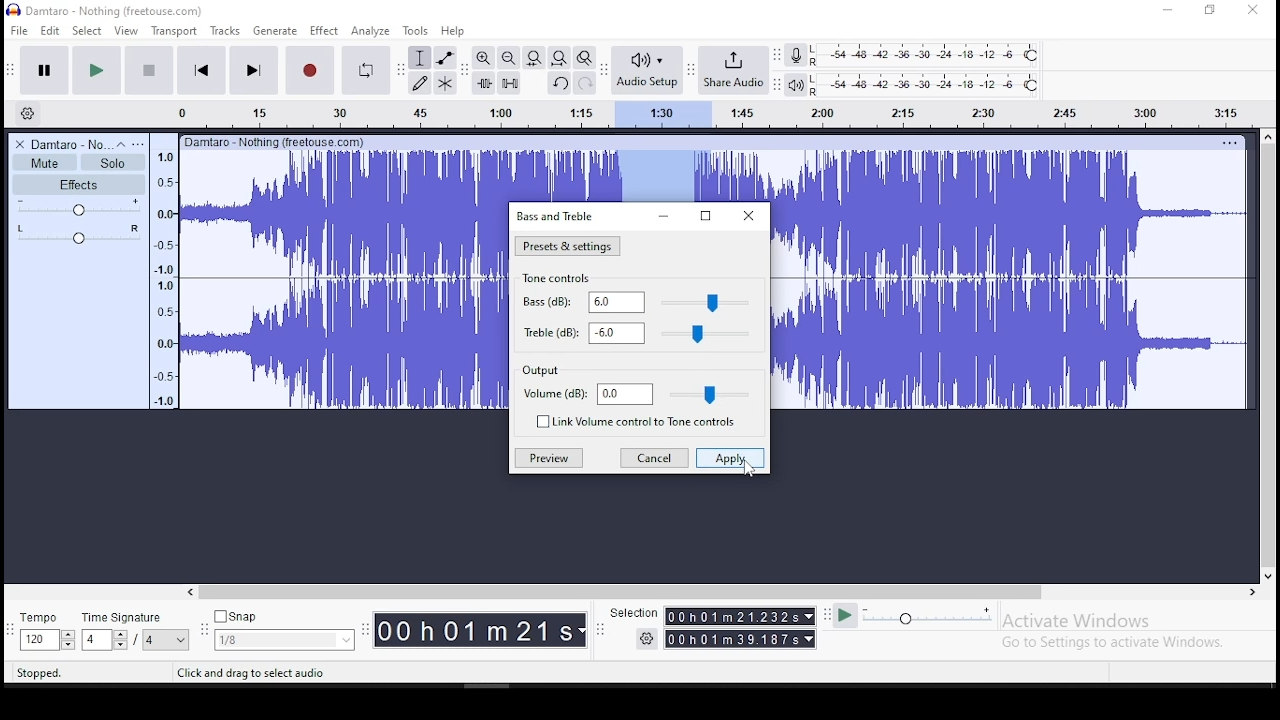 This screenshot has height=720, width=1280. What do you see at coordinates (291, 672) in the screenshot?
I see `Click and drag to select audio (Esc to cancel)` at bounding box center [291, 672].